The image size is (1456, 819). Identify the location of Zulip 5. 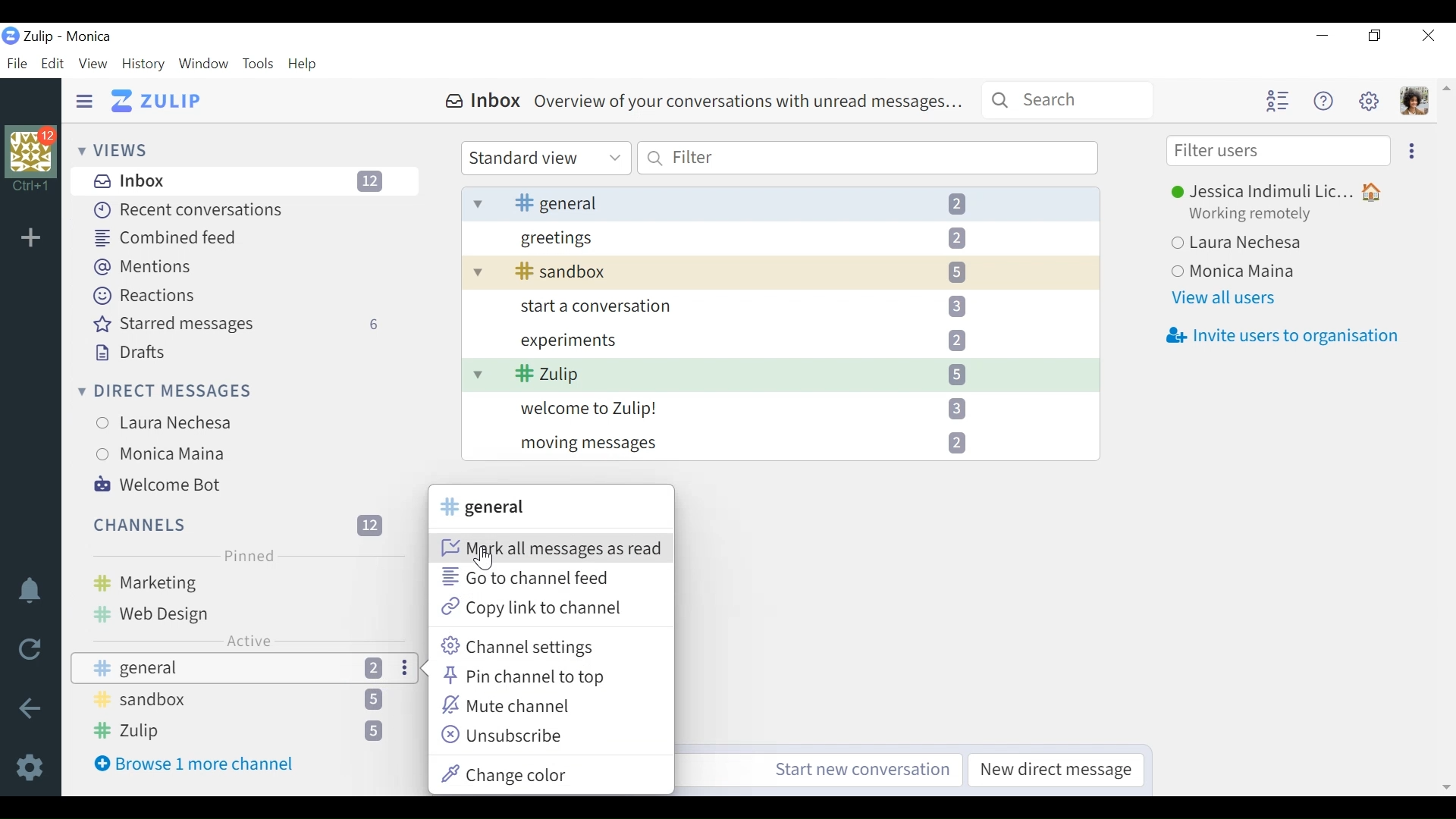
(780, 375).